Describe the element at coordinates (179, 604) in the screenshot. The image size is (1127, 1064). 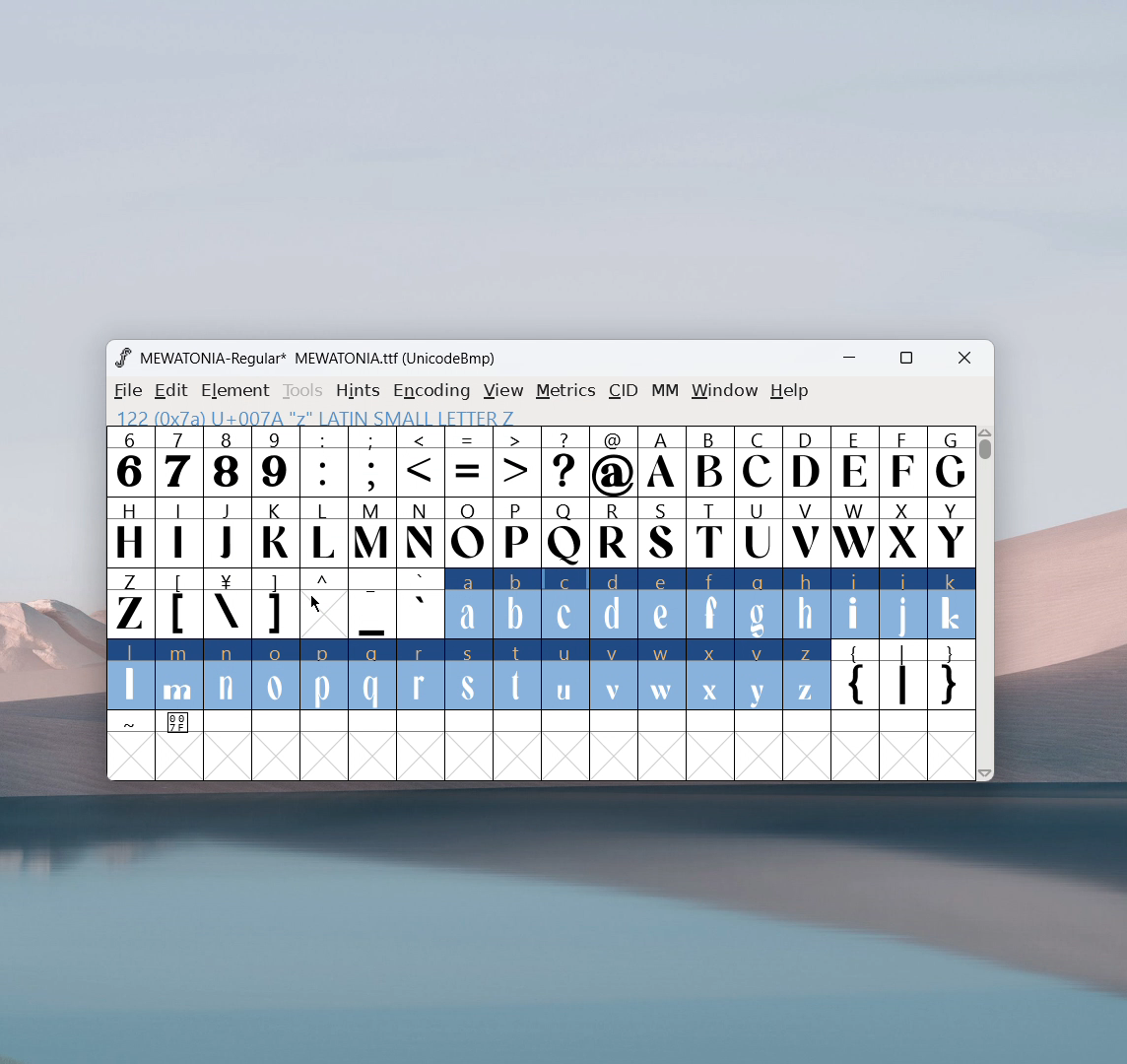
I see `[` at that location.